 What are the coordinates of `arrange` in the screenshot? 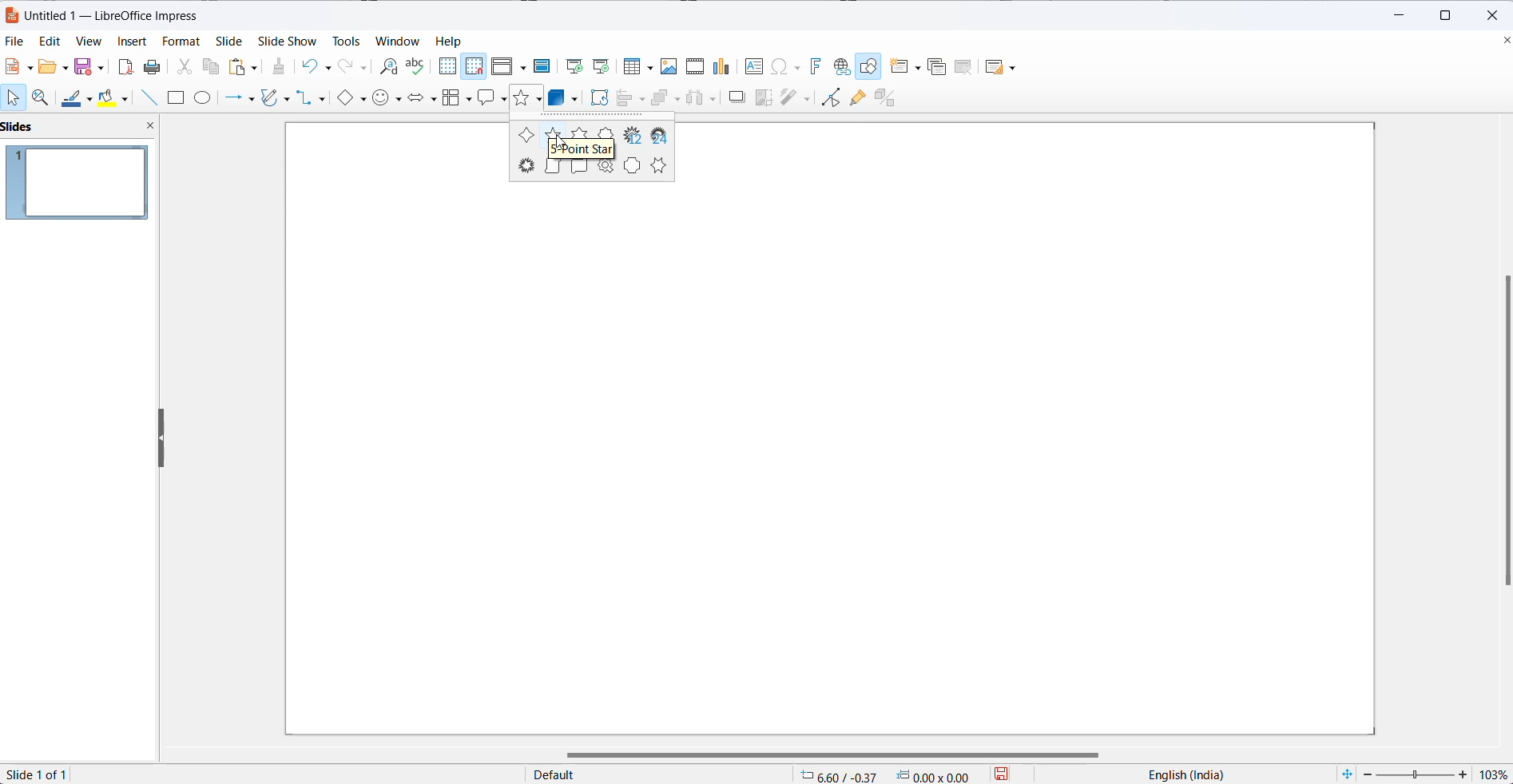 It's located at (665, 98).